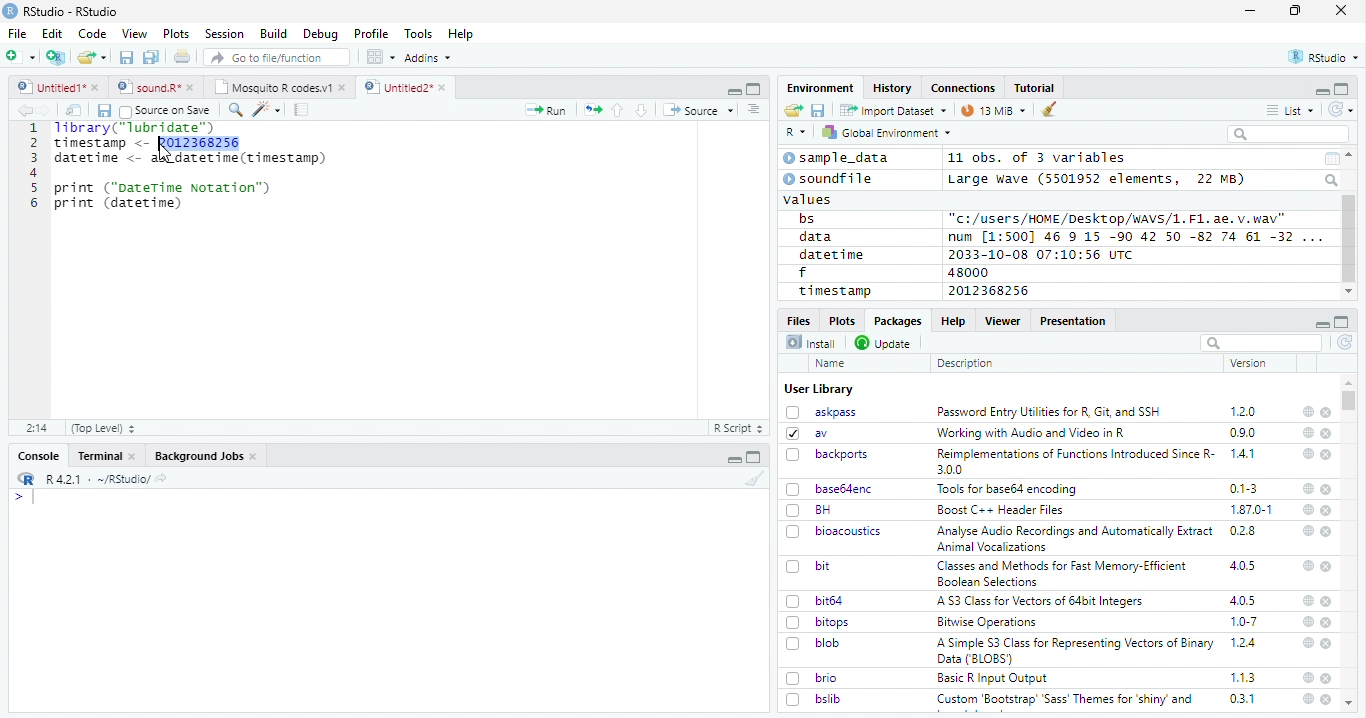 This screenshot has height=718, width=1366. I want to click on cursor, so click(167, 153).